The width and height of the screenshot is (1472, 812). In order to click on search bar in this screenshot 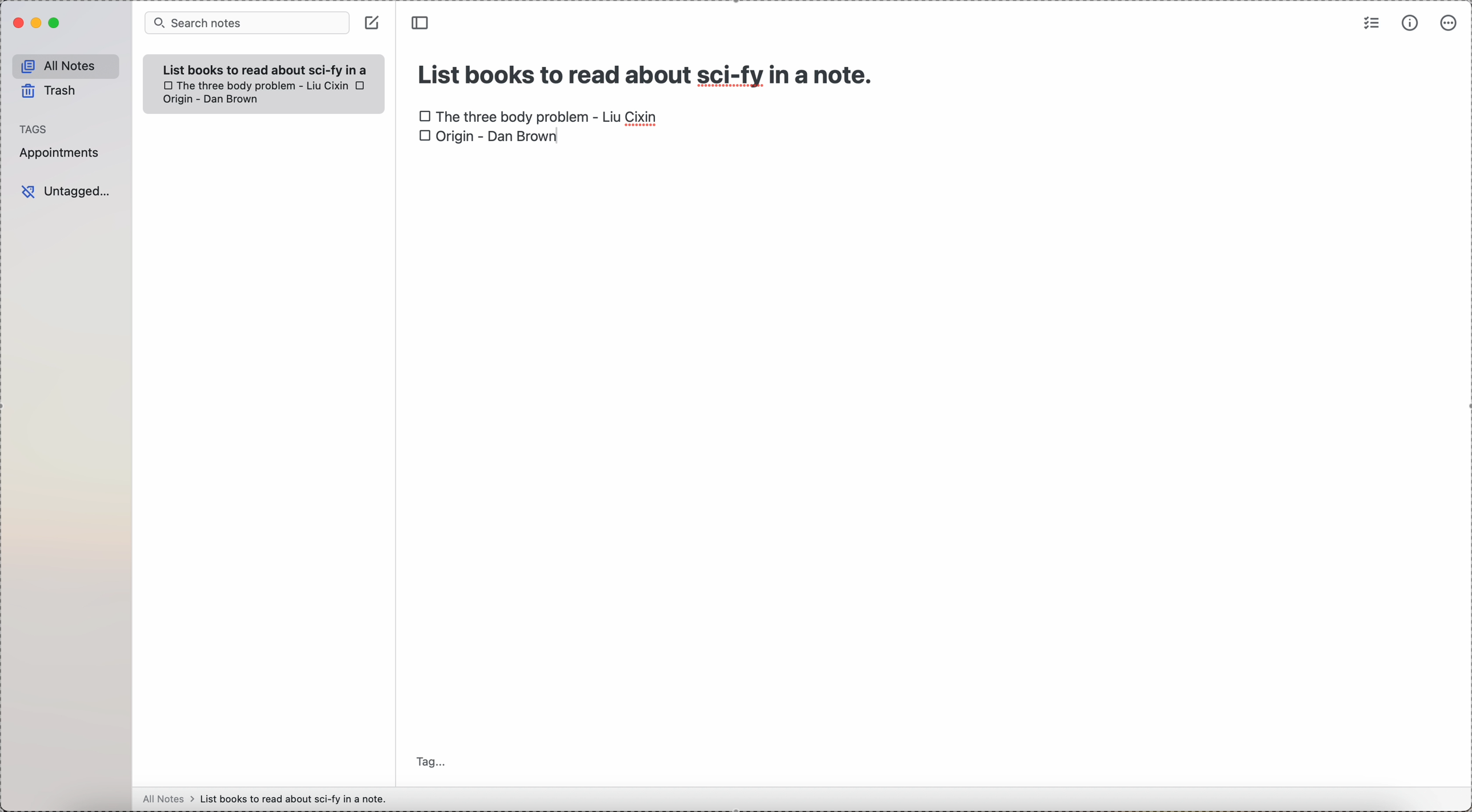, I will do `click(246, 23)`.